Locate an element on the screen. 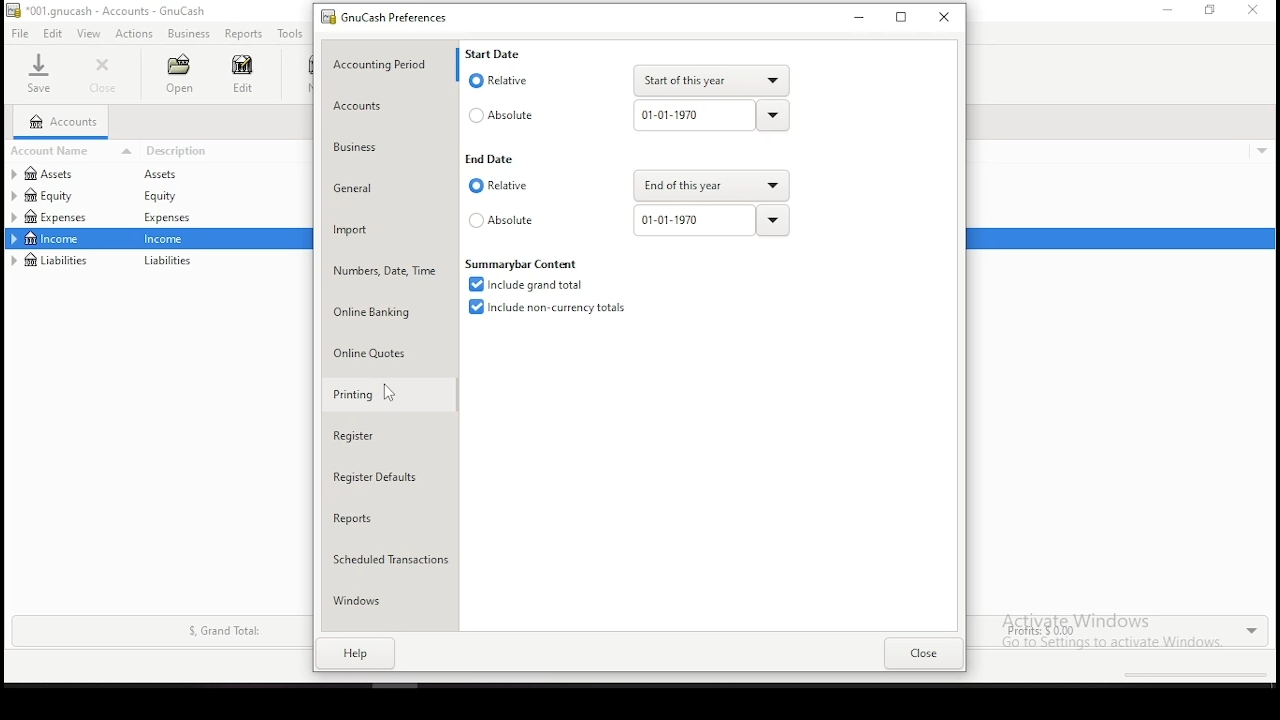 The height and width of the screenshot is (720, 1280). start date: absolute is located at coordinates (629, 115).